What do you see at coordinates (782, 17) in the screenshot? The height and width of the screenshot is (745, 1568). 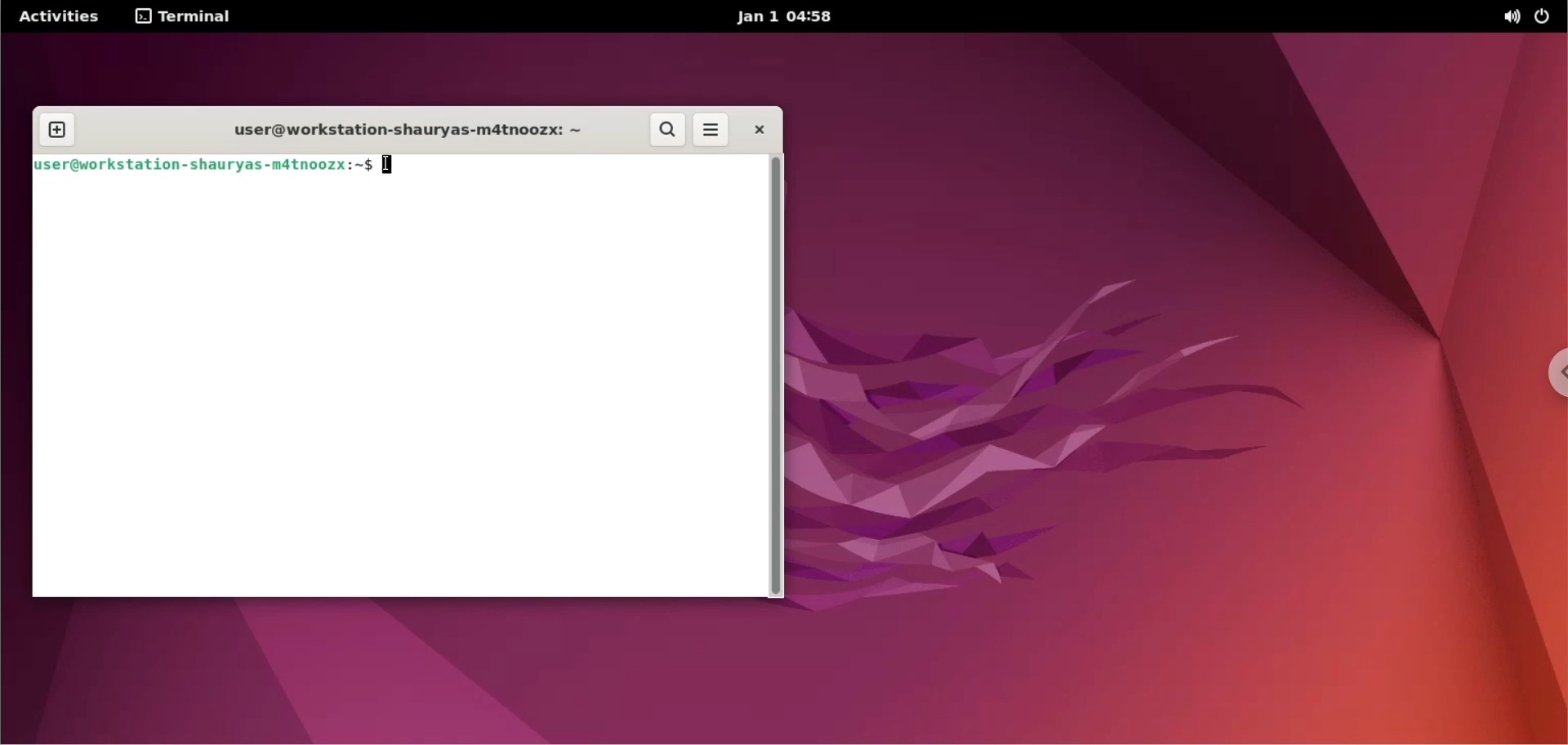 I see `Jan 1 04:58` at bounding box center [782, 17].